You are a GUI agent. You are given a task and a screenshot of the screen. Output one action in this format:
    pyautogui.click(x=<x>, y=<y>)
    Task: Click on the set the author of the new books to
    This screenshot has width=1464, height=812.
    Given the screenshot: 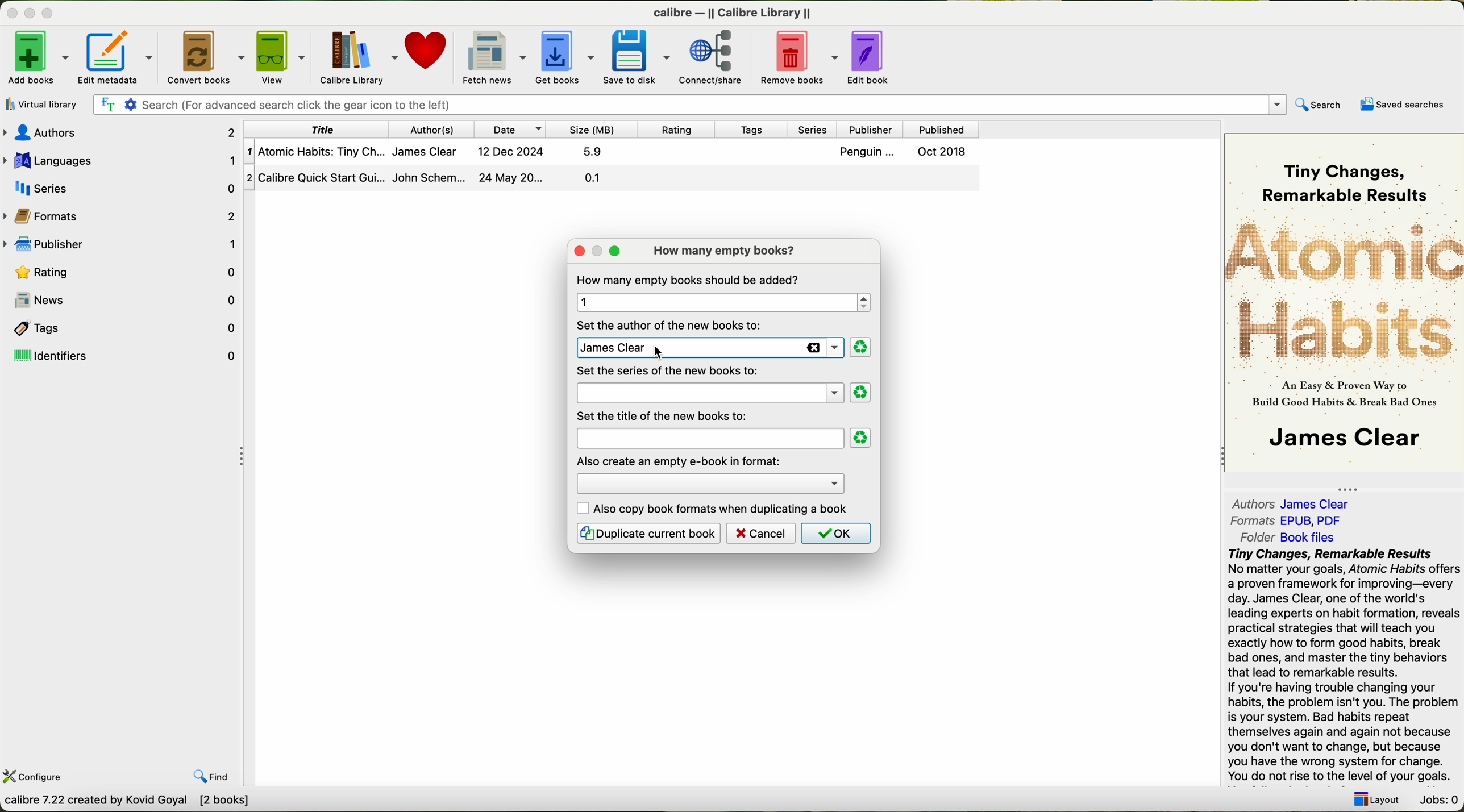 What is the action you would take?
    pyautogui.click(x=672, y=324)
    